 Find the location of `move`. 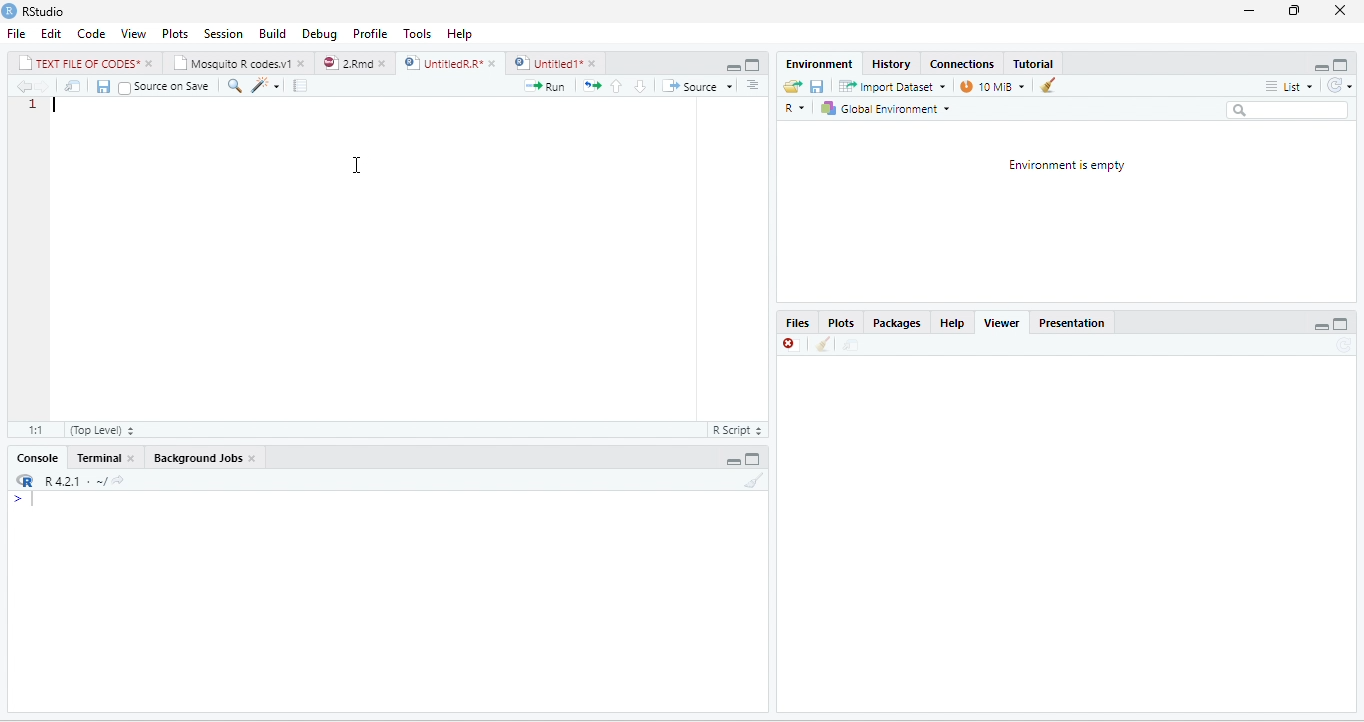

move is located at coordinates (848, 346).